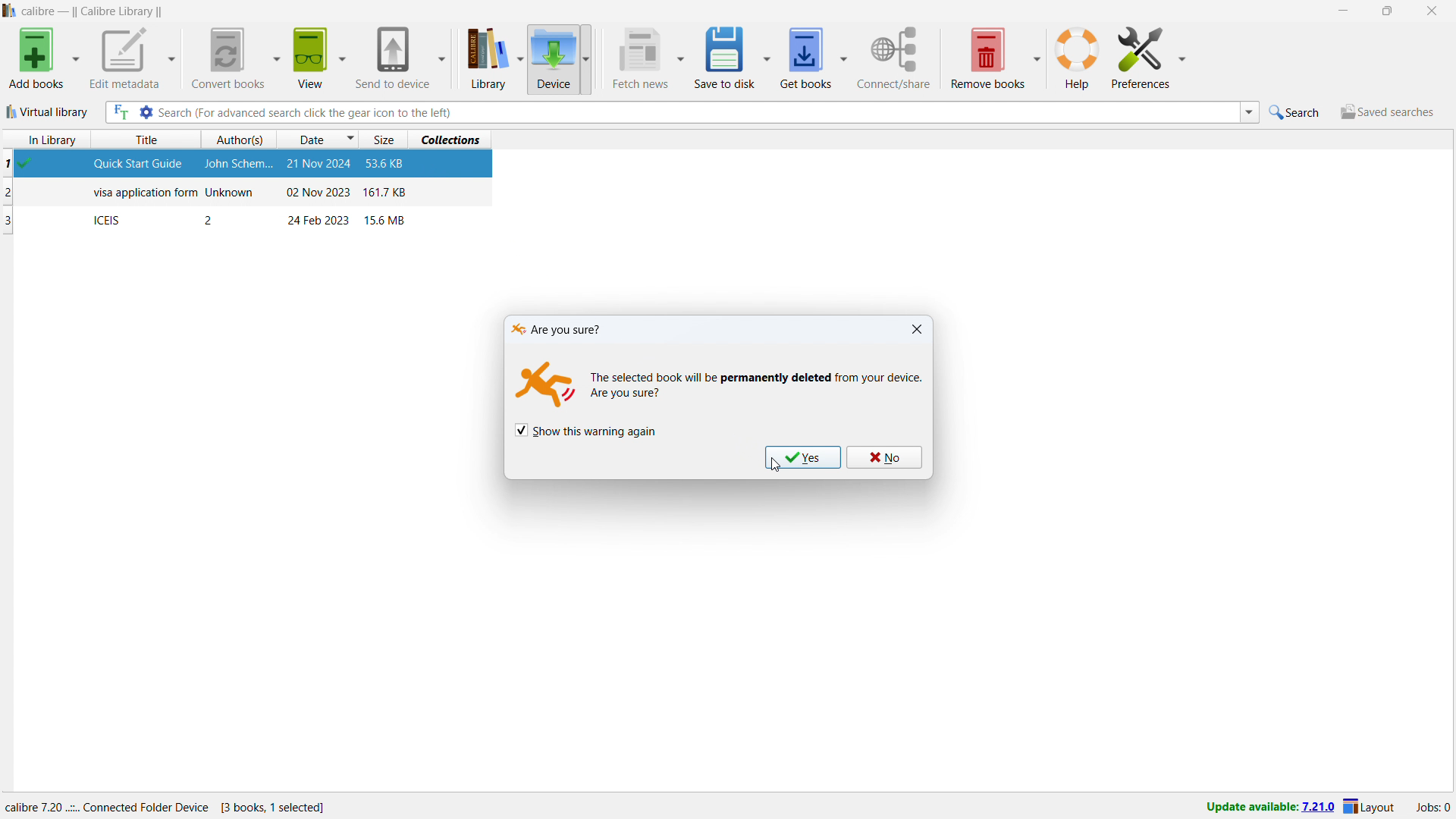 The width and height of the screenshot is (1456, 819). Describe the element at coordinates (93, 11) in the screenshot. I see `title` at that location.